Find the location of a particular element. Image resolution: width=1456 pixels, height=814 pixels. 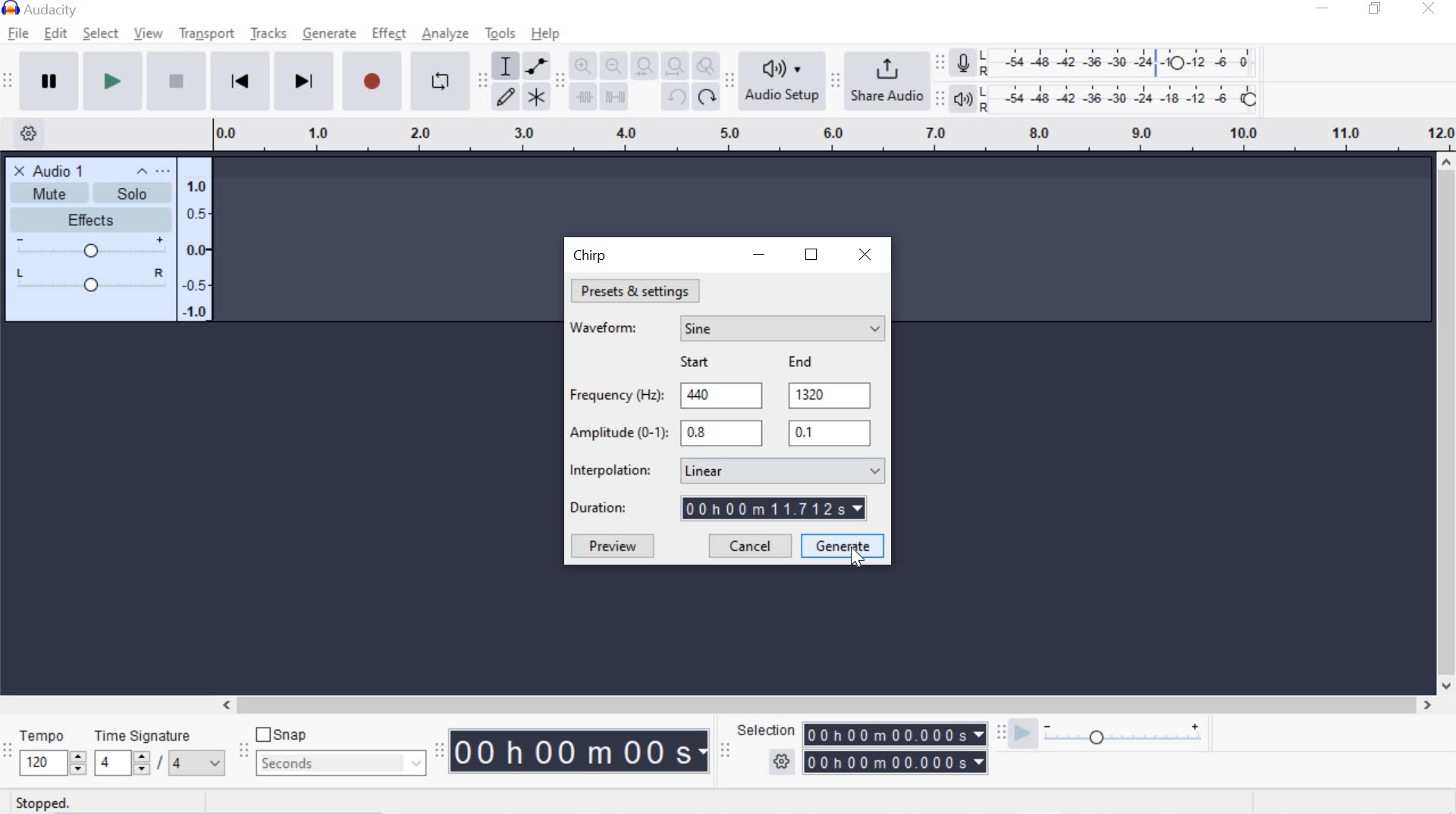

Open menu is located at coordinates (165, 174).